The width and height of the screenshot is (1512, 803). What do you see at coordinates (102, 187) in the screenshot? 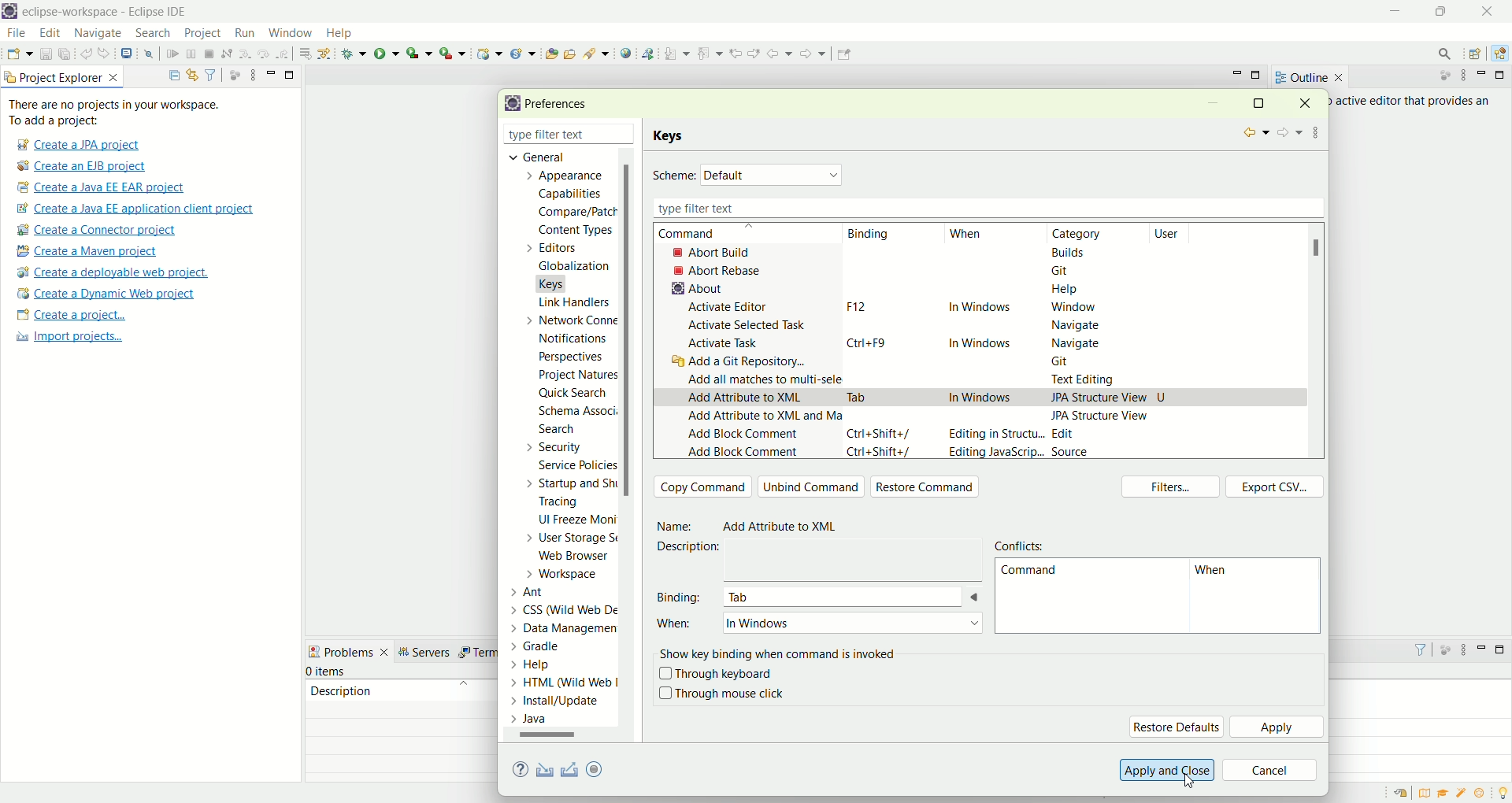
I see `create a Java EE EAR project` at bounding box center [102, 187].